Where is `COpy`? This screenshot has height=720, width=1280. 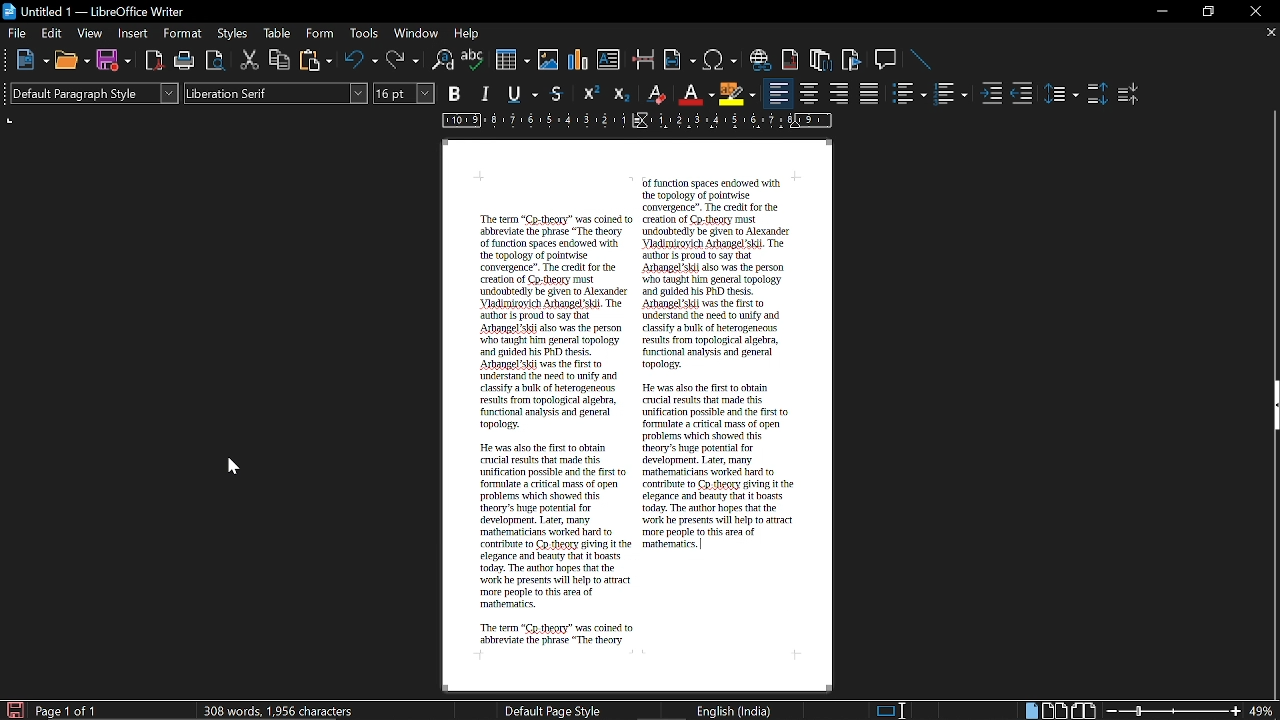
COpy is located at coordinates (281, 61).